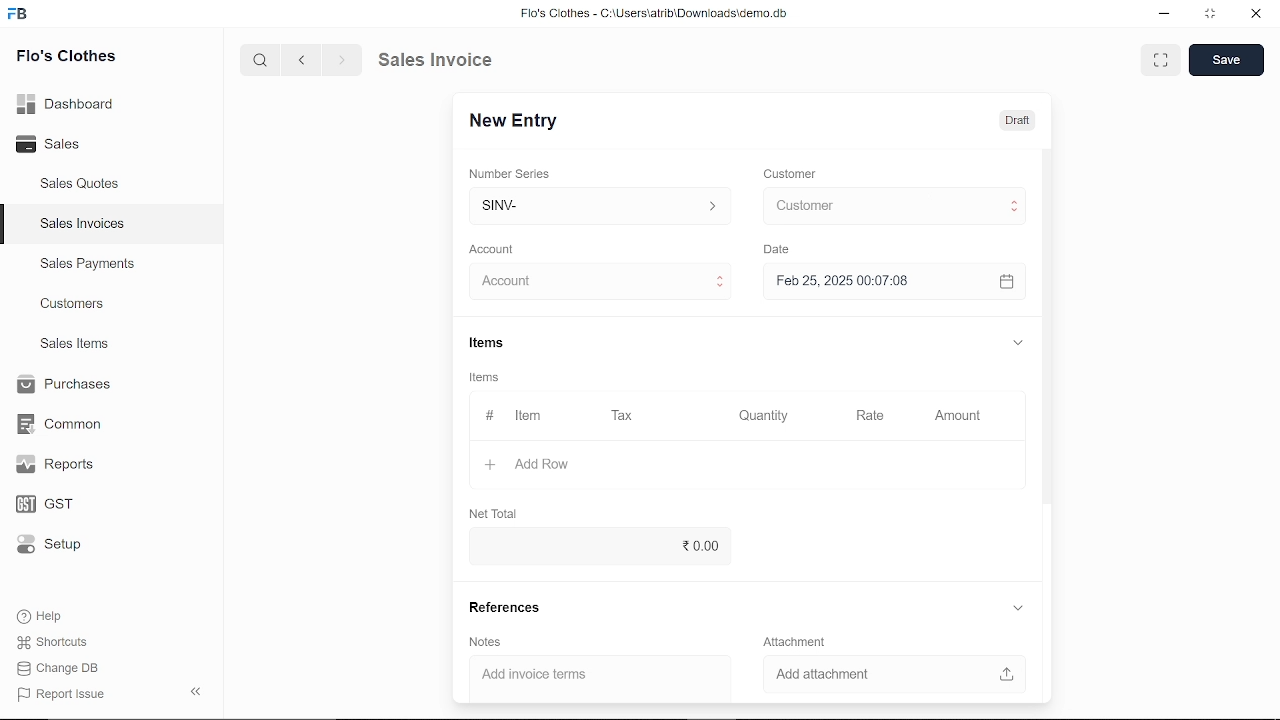 Image resolution: width=1280 pixels, height=720 pixels. I want to click on close, so click(1254, 14).